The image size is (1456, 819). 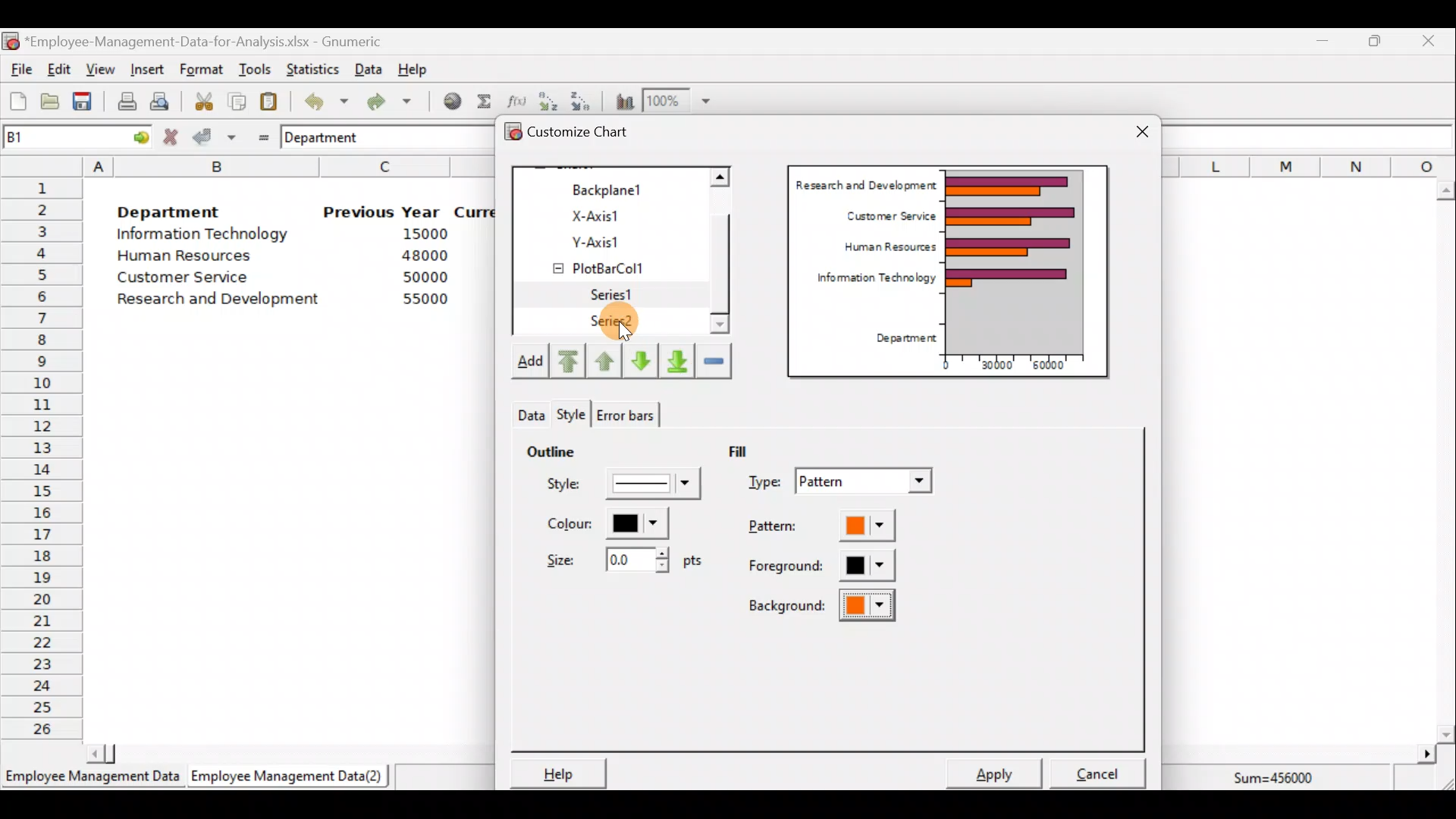 What do you see at coordinates (626, 488) in the screenshot?
I see `Style` at bounding box center [626, 488].